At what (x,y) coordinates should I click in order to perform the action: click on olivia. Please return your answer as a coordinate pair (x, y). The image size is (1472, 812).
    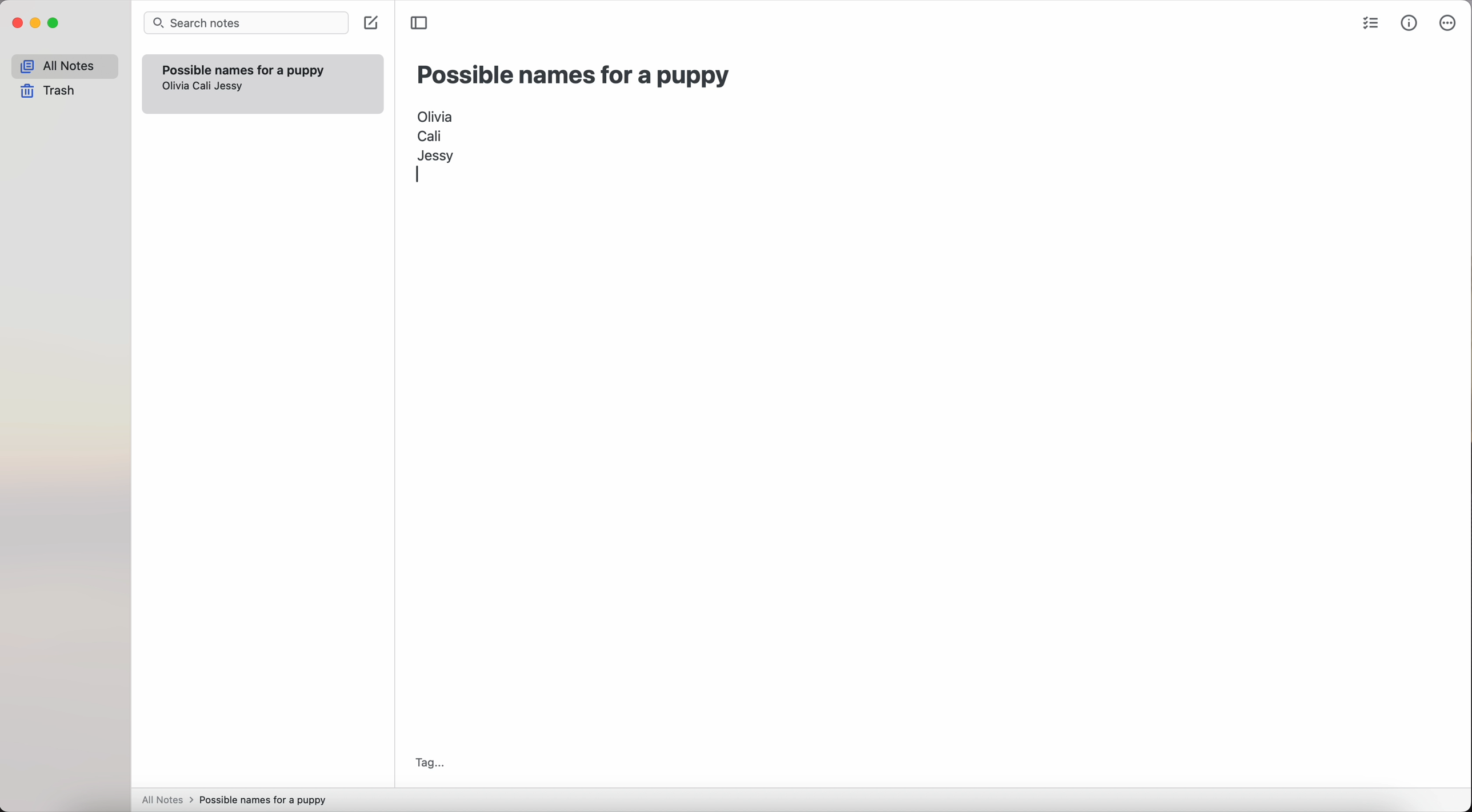
    Looking at the image, I should click on (177, 86).